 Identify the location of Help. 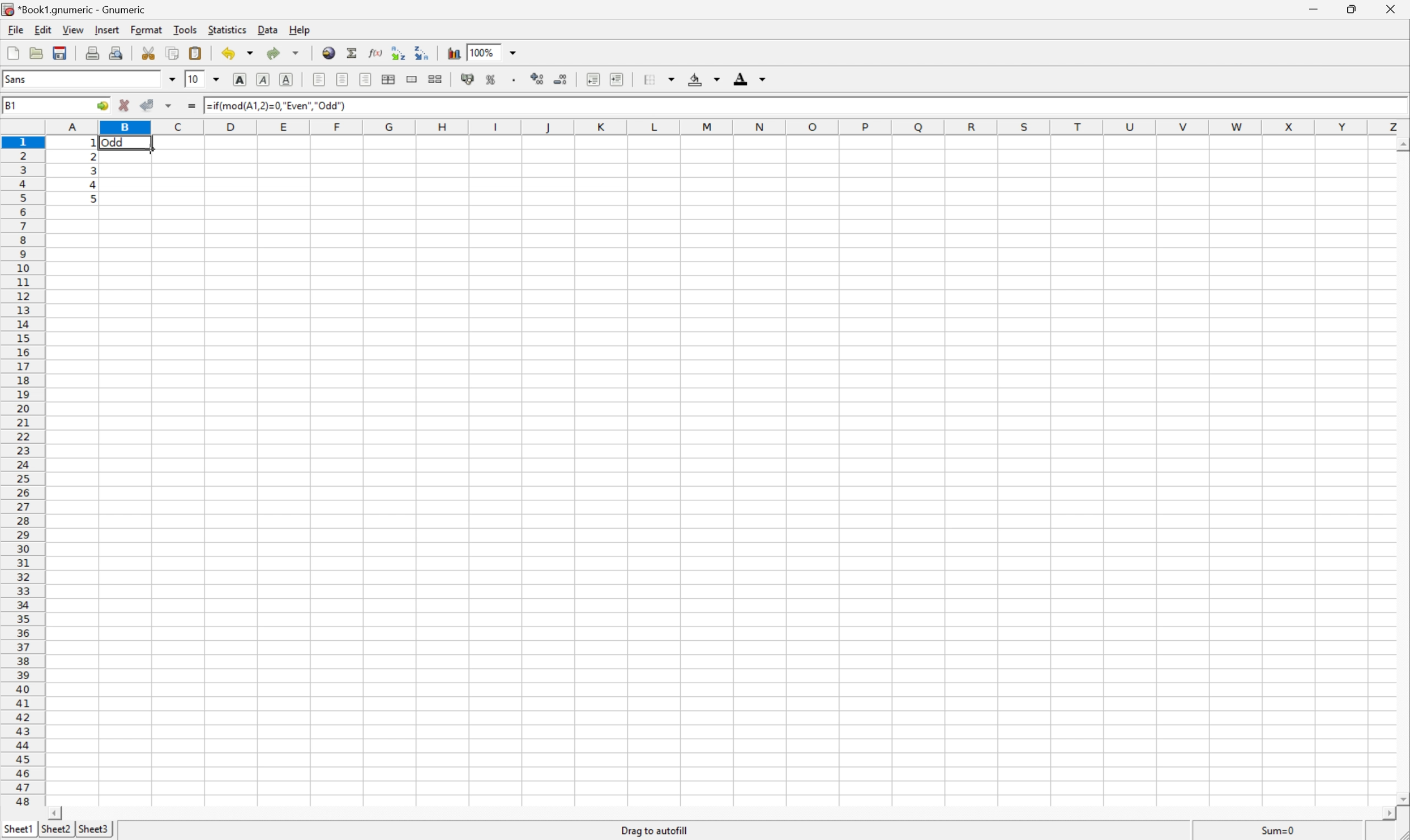
(301, 29).